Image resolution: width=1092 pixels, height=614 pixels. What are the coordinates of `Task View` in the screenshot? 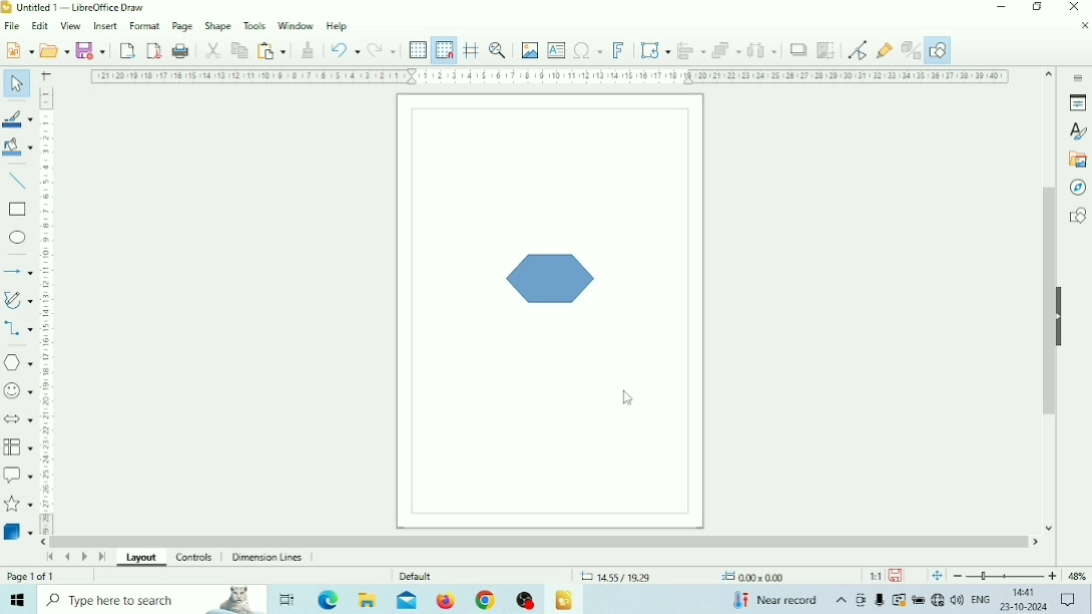 It's located at (287, 600).